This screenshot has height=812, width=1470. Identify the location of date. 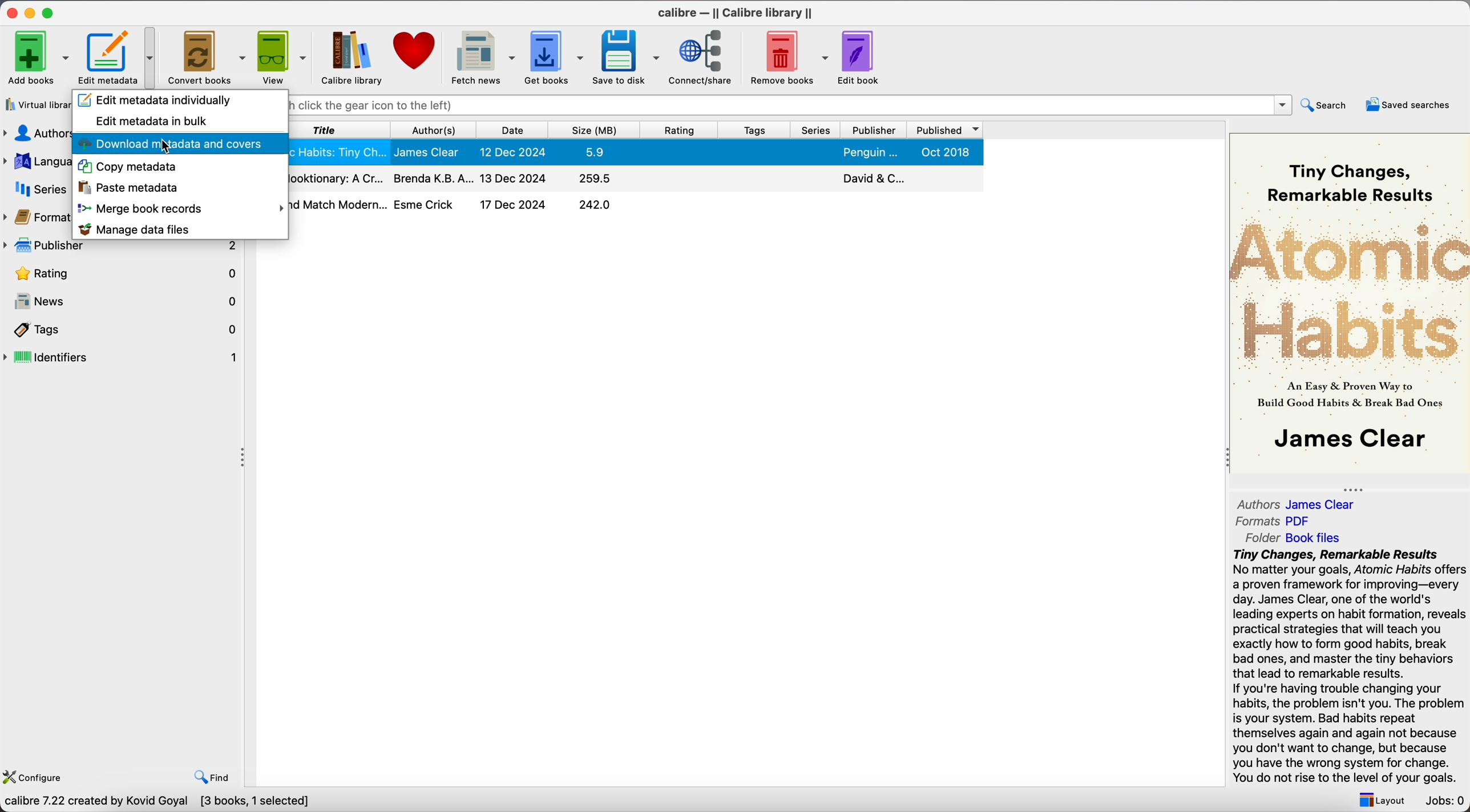
(512, 130).